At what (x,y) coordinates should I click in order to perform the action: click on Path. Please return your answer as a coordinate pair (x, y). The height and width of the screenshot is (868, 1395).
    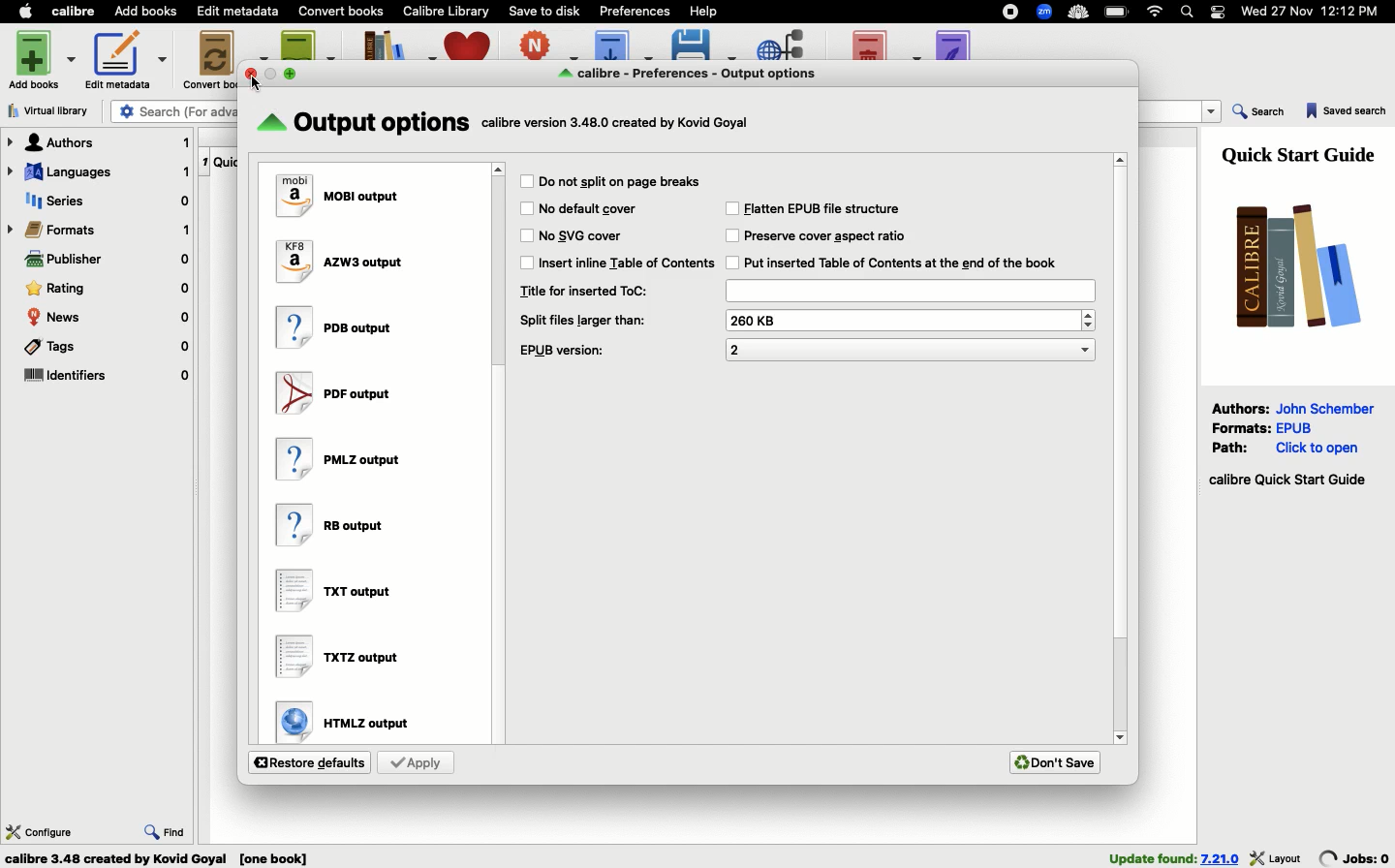
    Looking at the image, I should click on (1233, 447).